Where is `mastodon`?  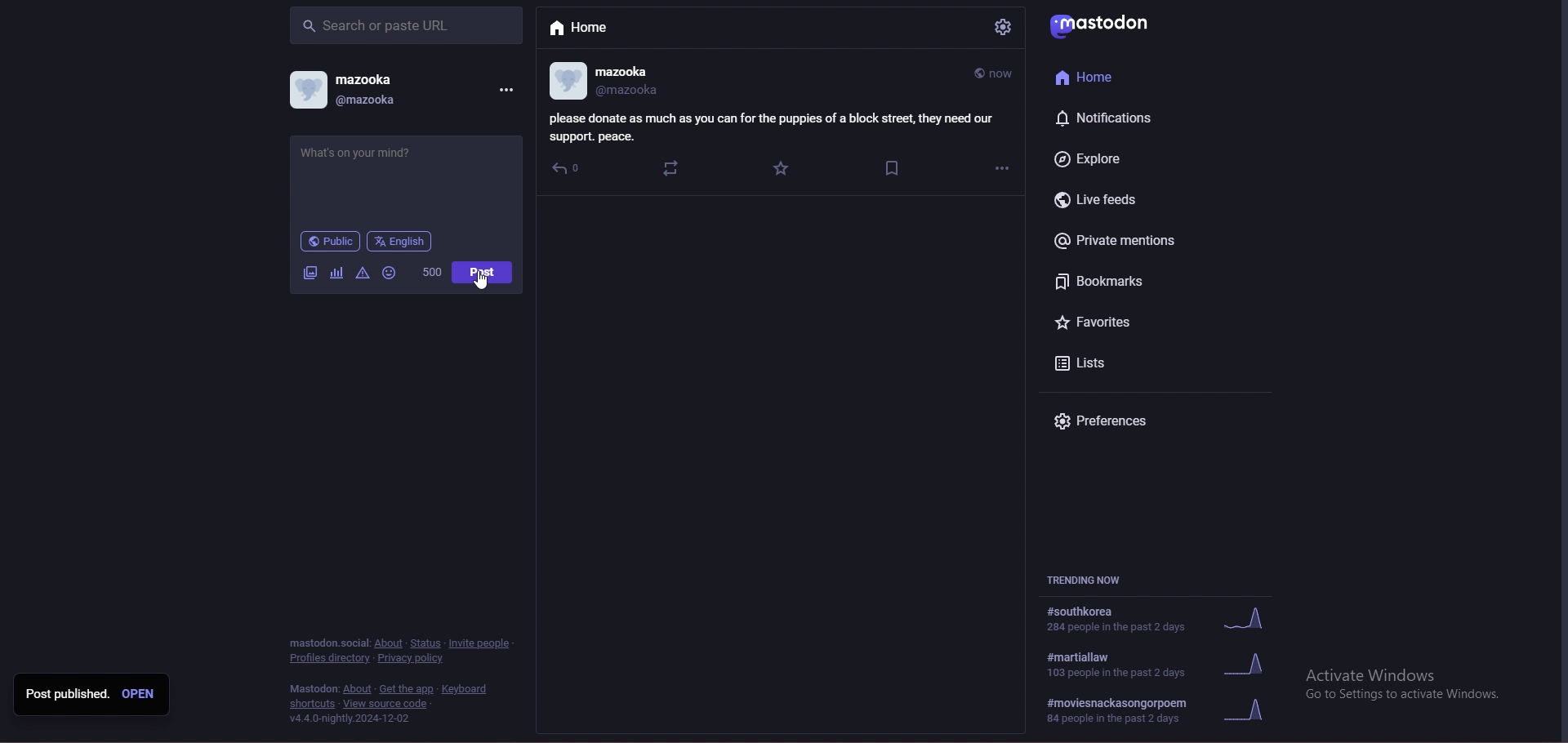
mastodon is located at coordinates (310, 689).